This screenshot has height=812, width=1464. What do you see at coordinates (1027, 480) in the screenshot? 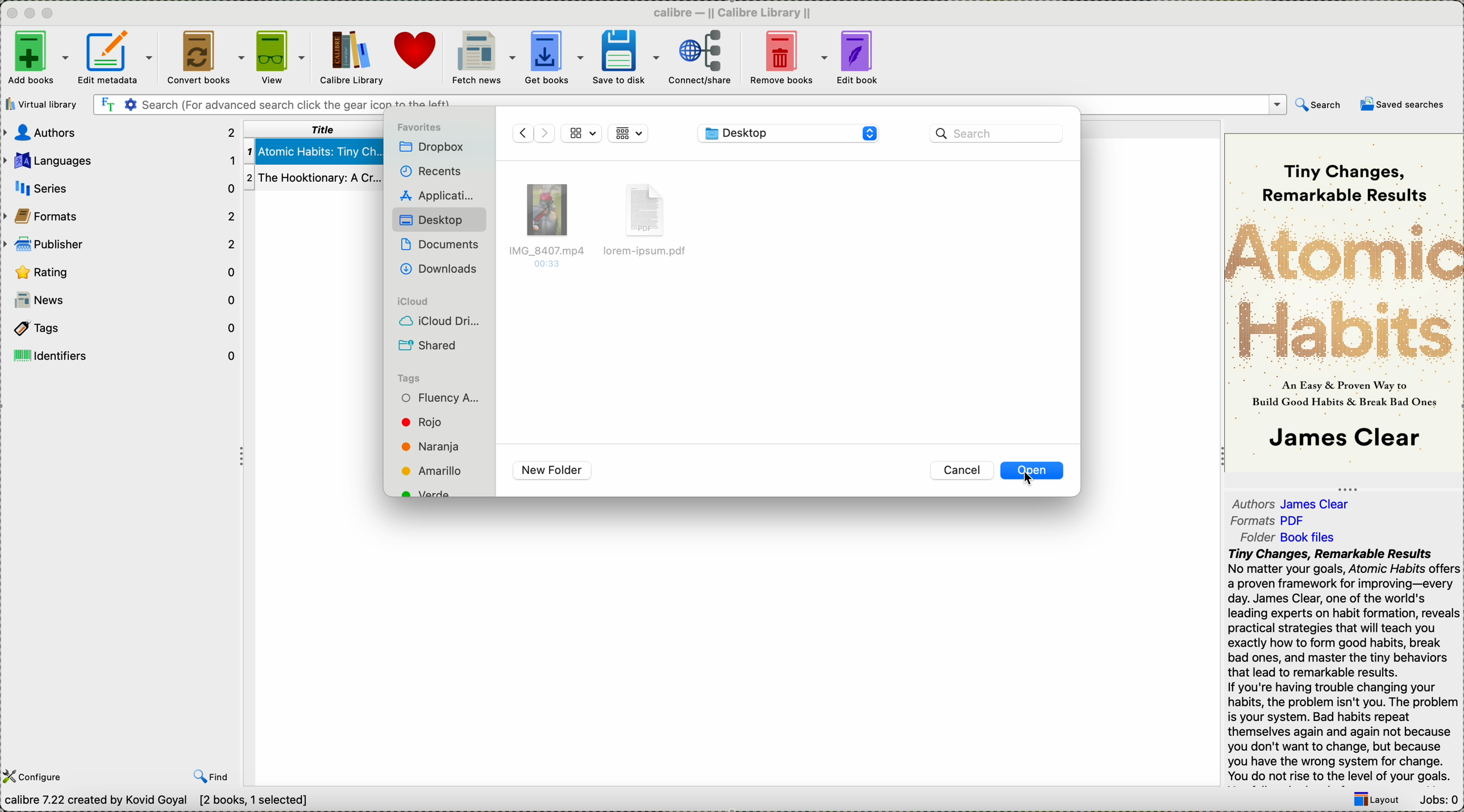
I see `cursor` at bounding box center [1027, 480].